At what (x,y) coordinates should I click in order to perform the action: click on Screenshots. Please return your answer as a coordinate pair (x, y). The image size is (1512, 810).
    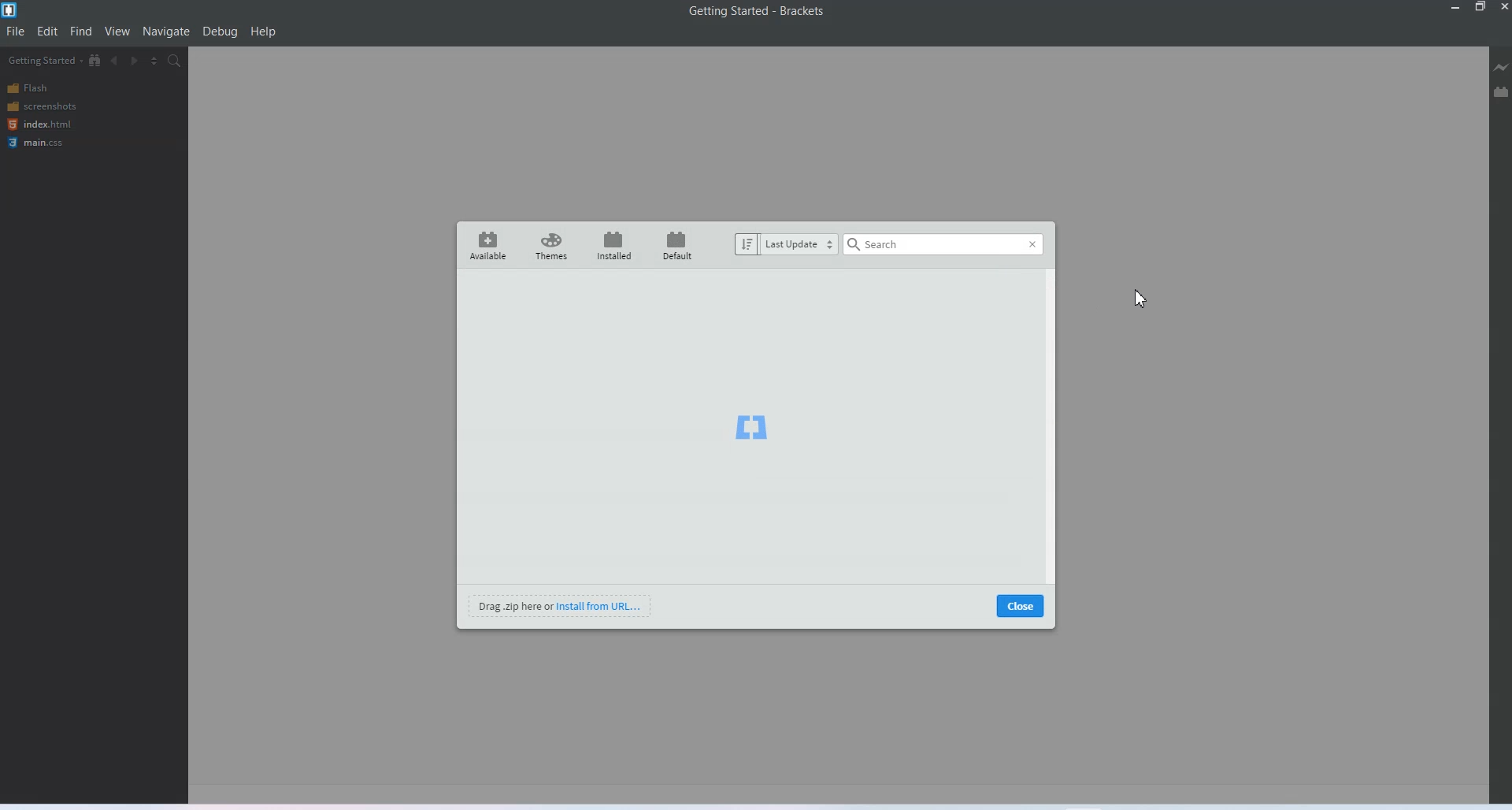
    Looking at the image, I should click on (43, 106).